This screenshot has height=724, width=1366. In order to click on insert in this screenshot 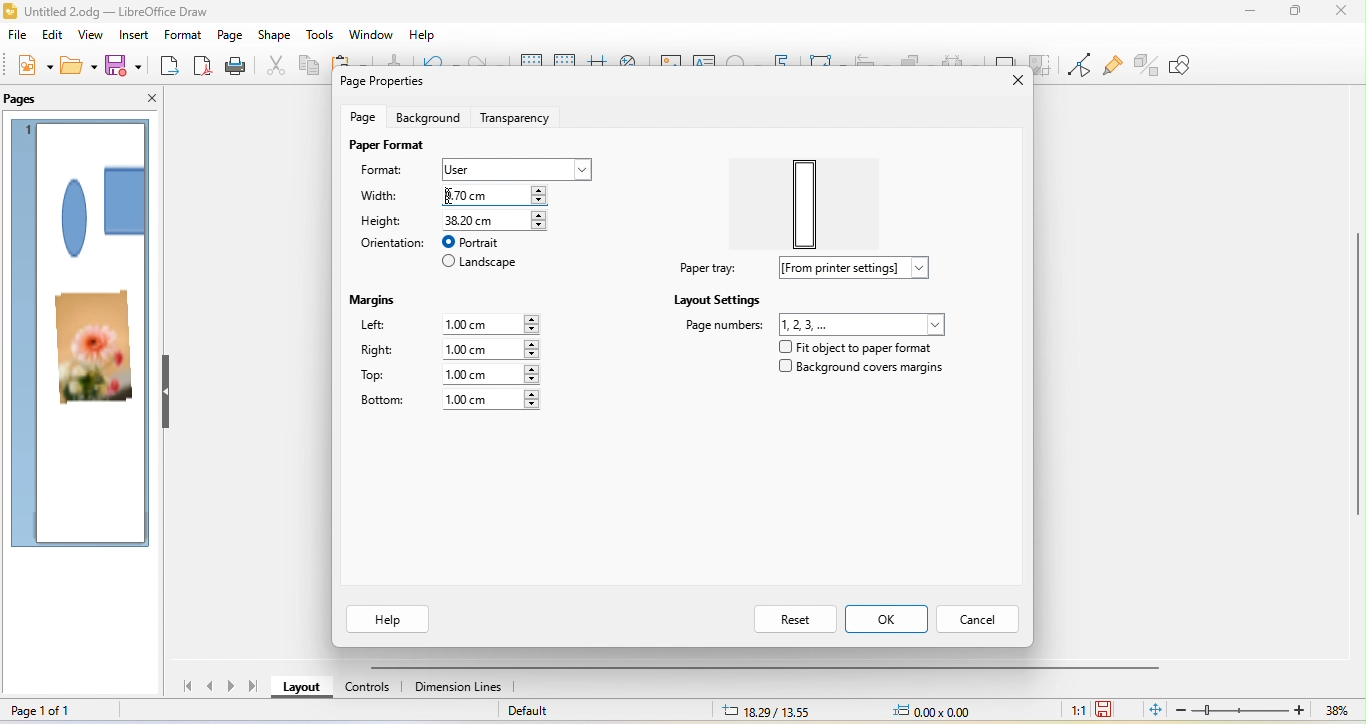, I will do `click(135, 37)`.